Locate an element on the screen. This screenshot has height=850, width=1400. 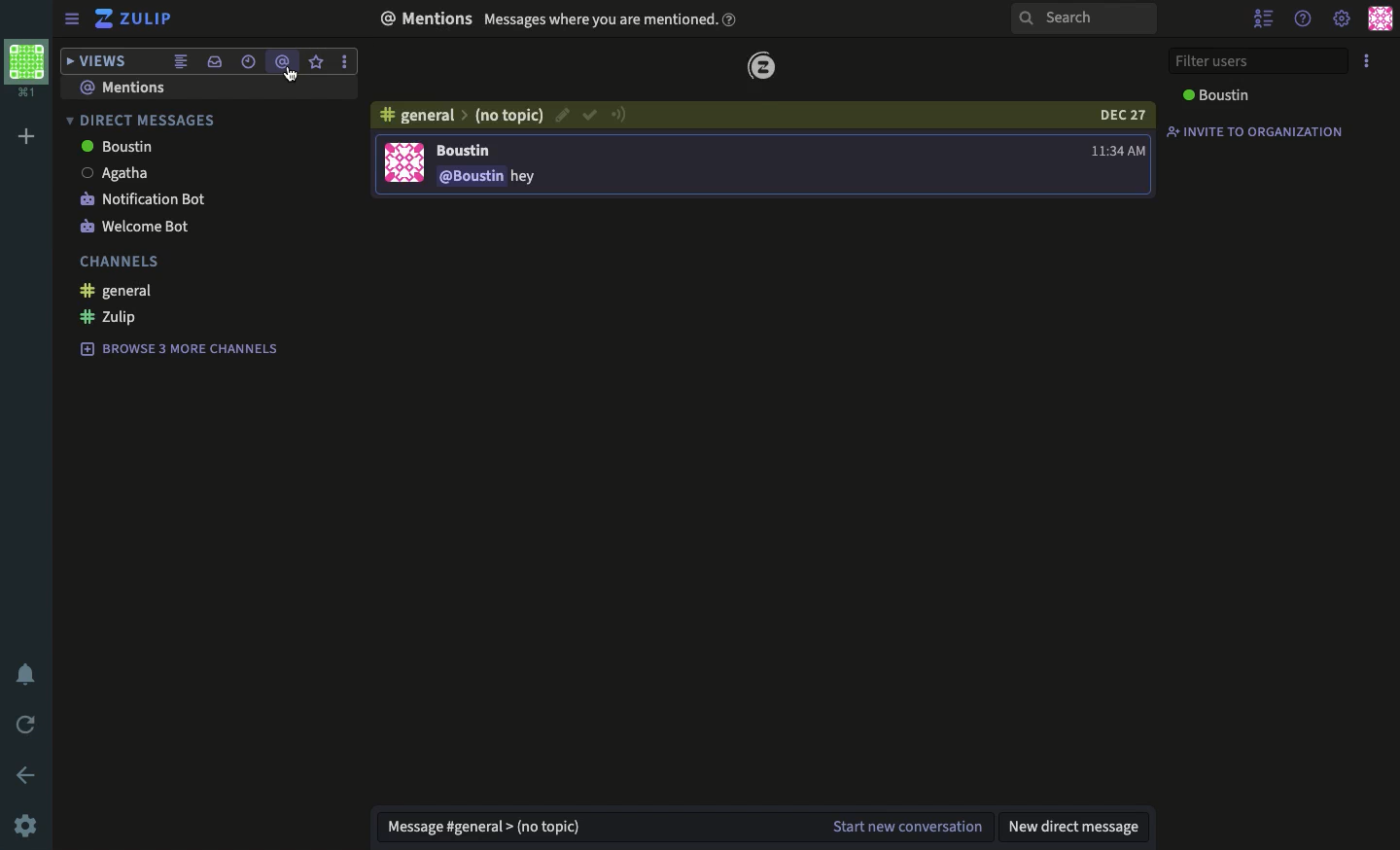
inbox is located at coordinates (217, 59).